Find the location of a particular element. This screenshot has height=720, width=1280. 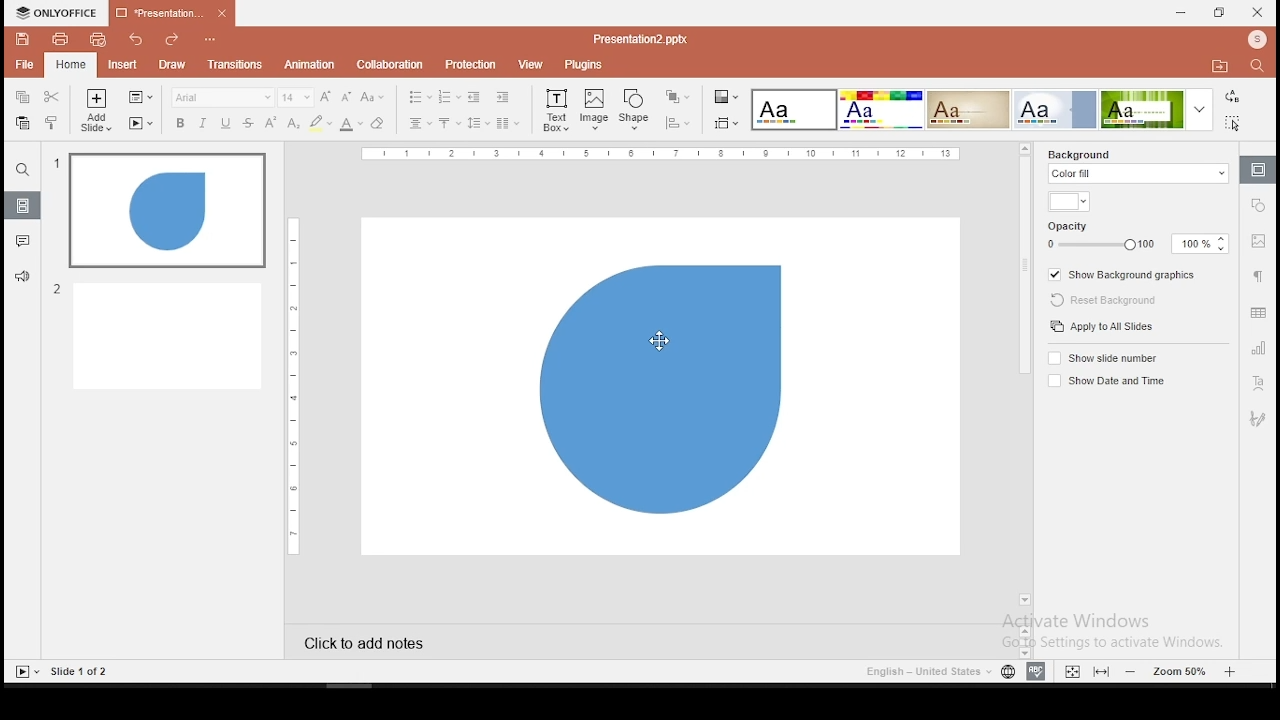

shape is located at coordinates (655, 390).